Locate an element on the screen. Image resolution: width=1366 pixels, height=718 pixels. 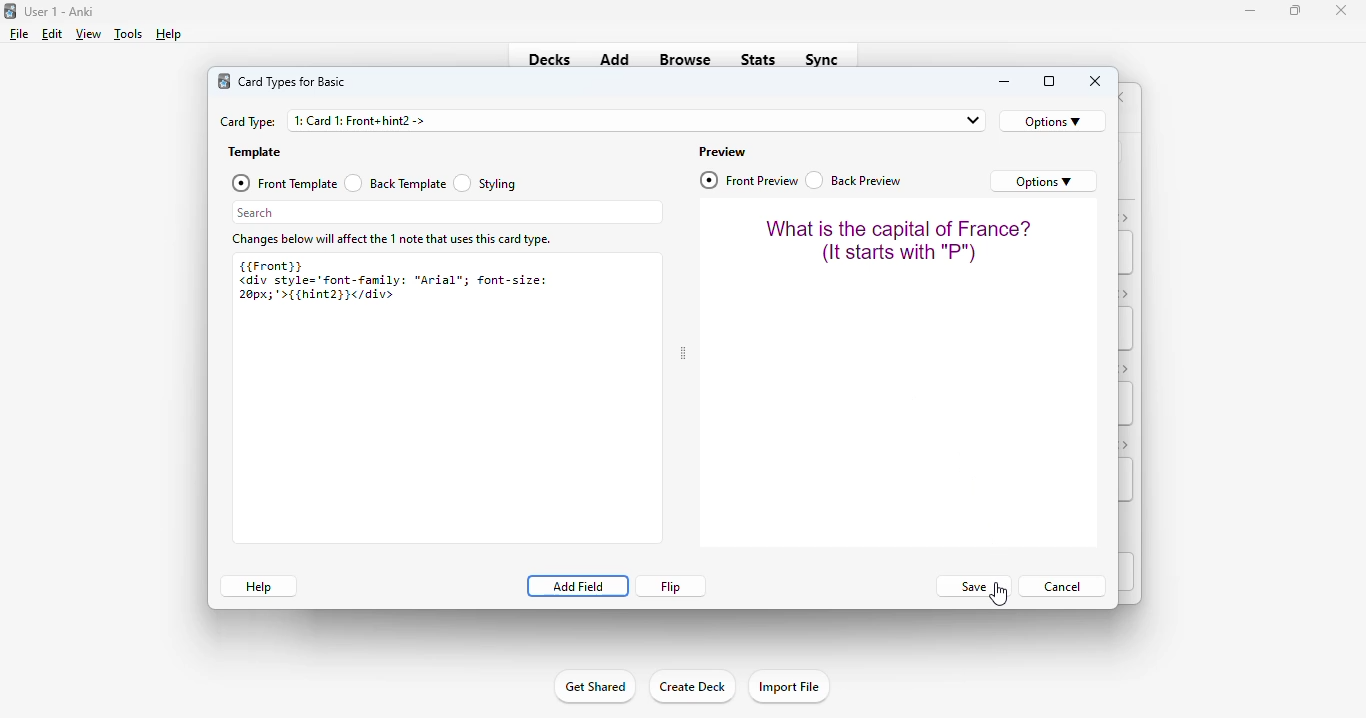
card types for basic is located at coordinates (292, 82).